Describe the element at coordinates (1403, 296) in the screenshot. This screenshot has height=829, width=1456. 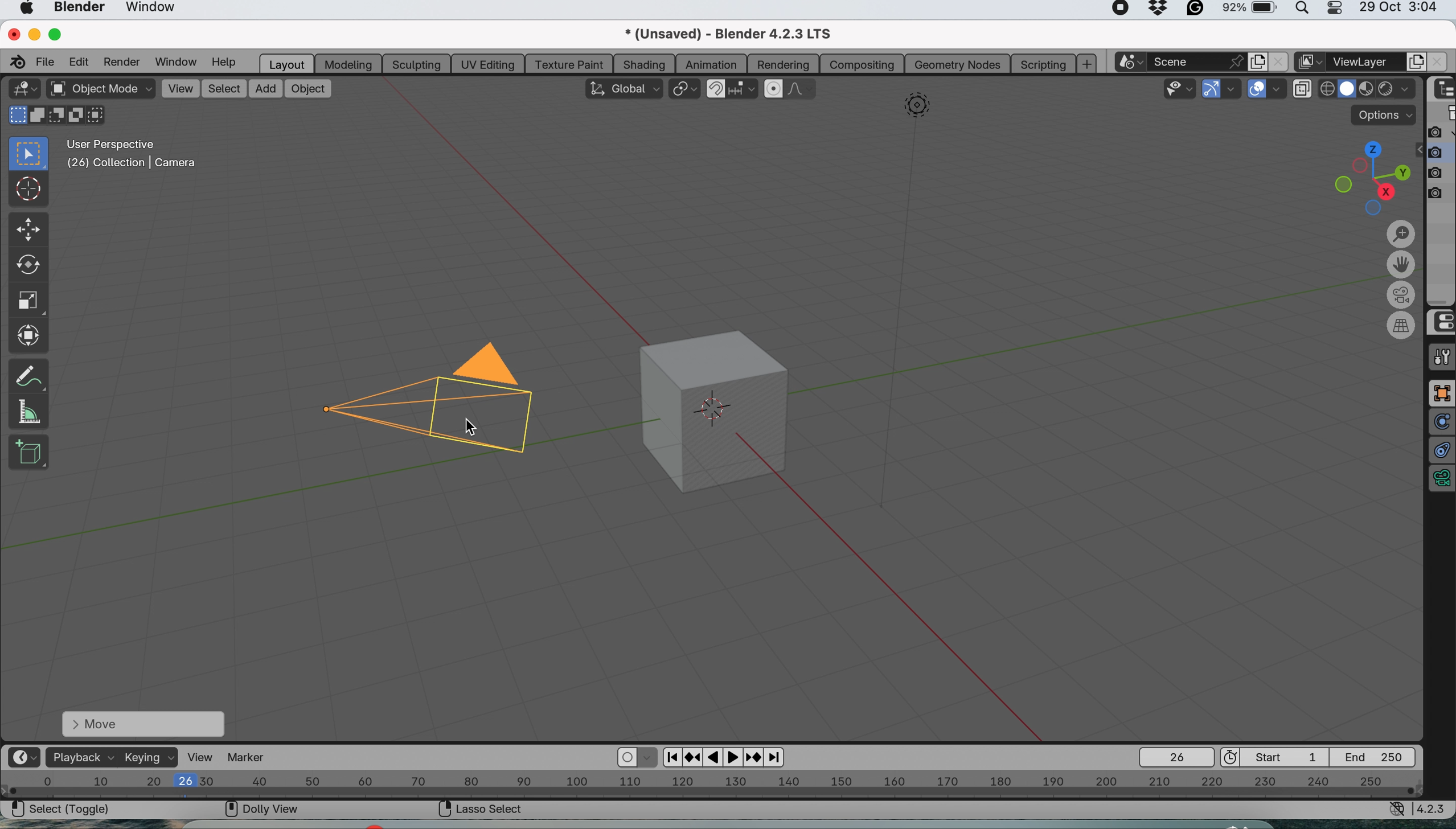
I see `toggle the camera view` at that location.